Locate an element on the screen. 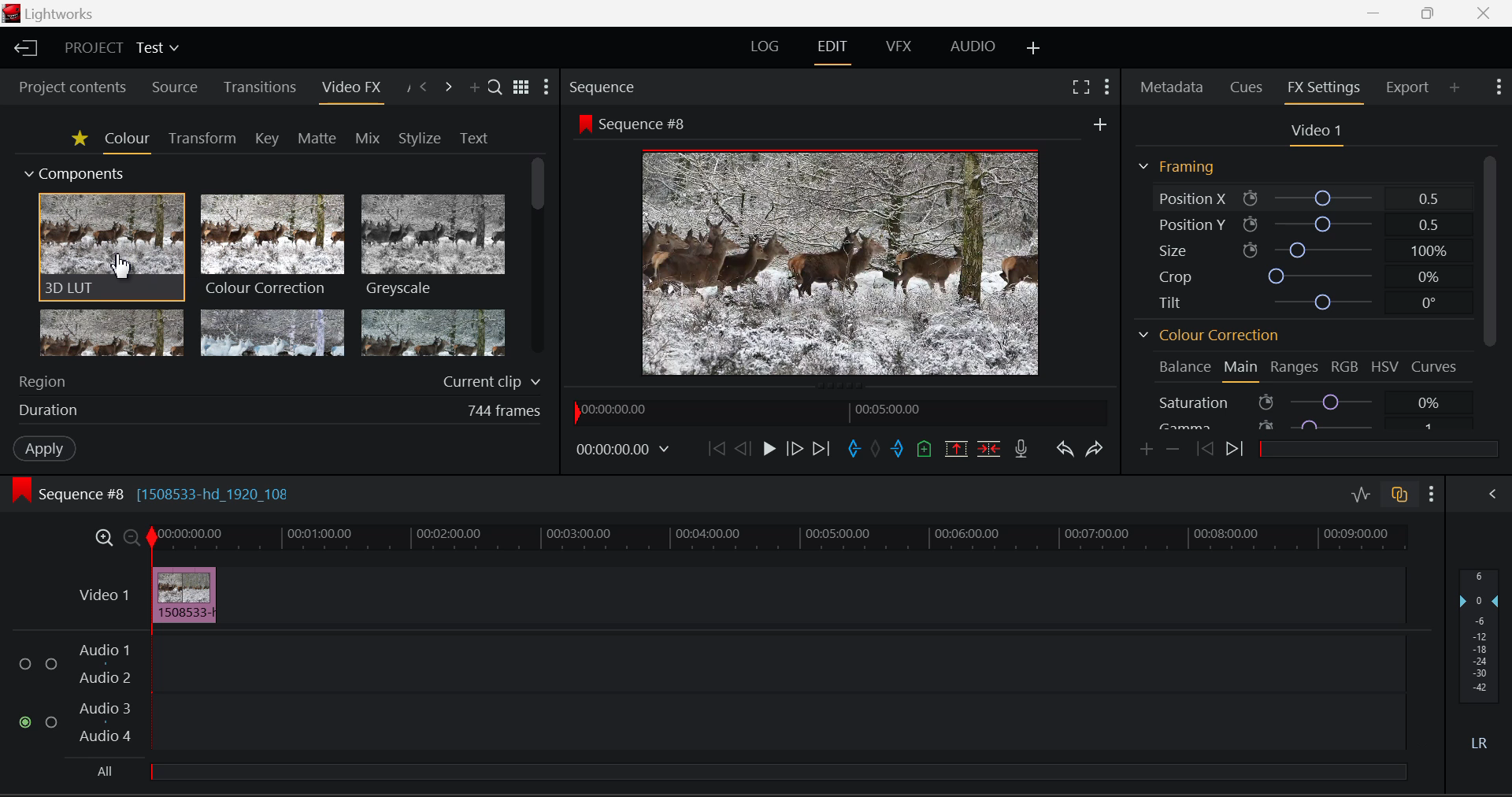 Image resolution: width=1512 pixels, height=797 pixels. Audio 2 is located at coordinates (107, 679).